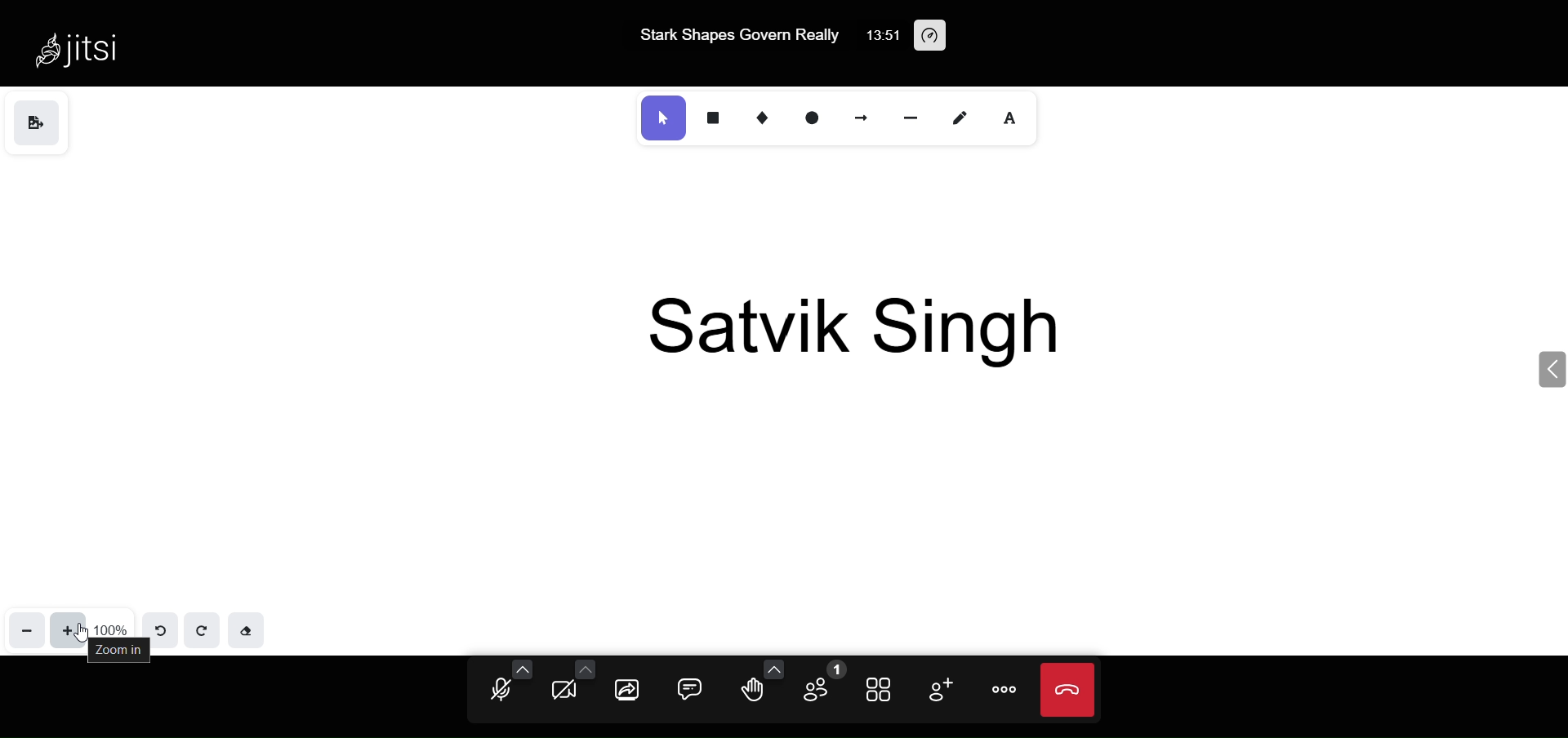 This screenshot has width=1568, height=738. Describe the element at coordinates (77, 46) in the screenshot. I see `Jitsi` at that location.